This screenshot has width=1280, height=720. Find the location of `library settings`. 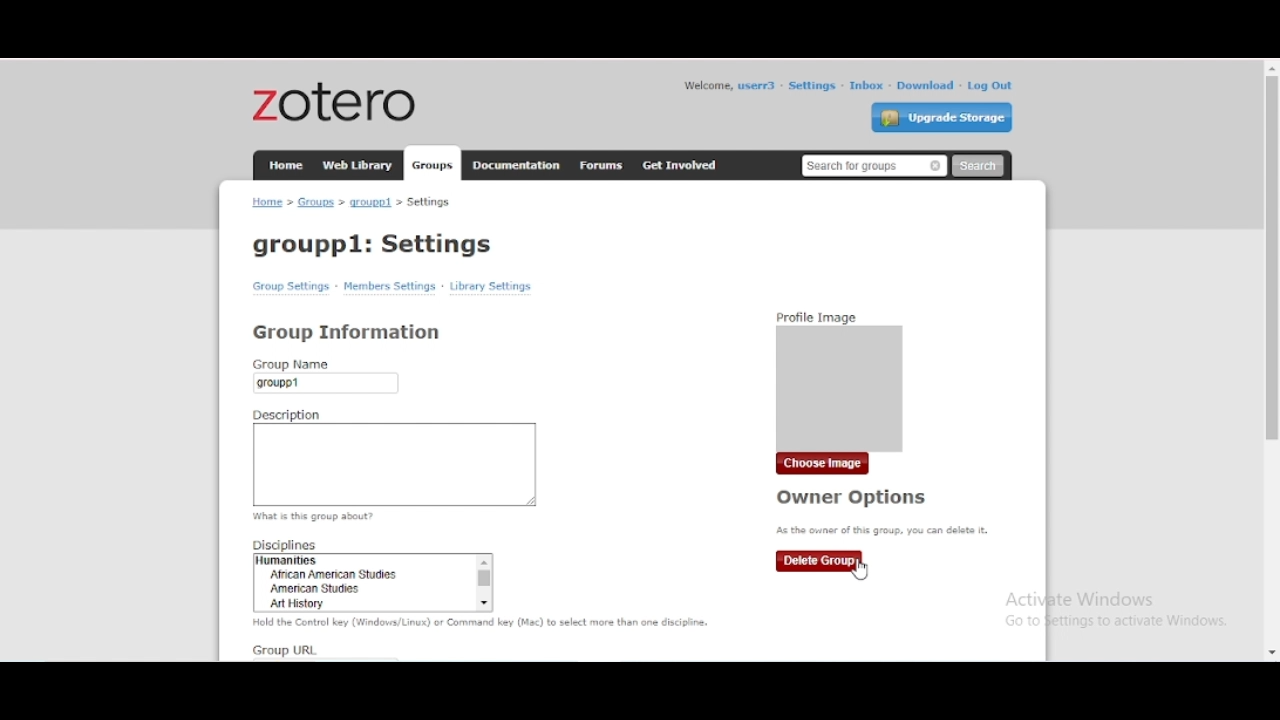

library settings is located at coordinates (490, 286).